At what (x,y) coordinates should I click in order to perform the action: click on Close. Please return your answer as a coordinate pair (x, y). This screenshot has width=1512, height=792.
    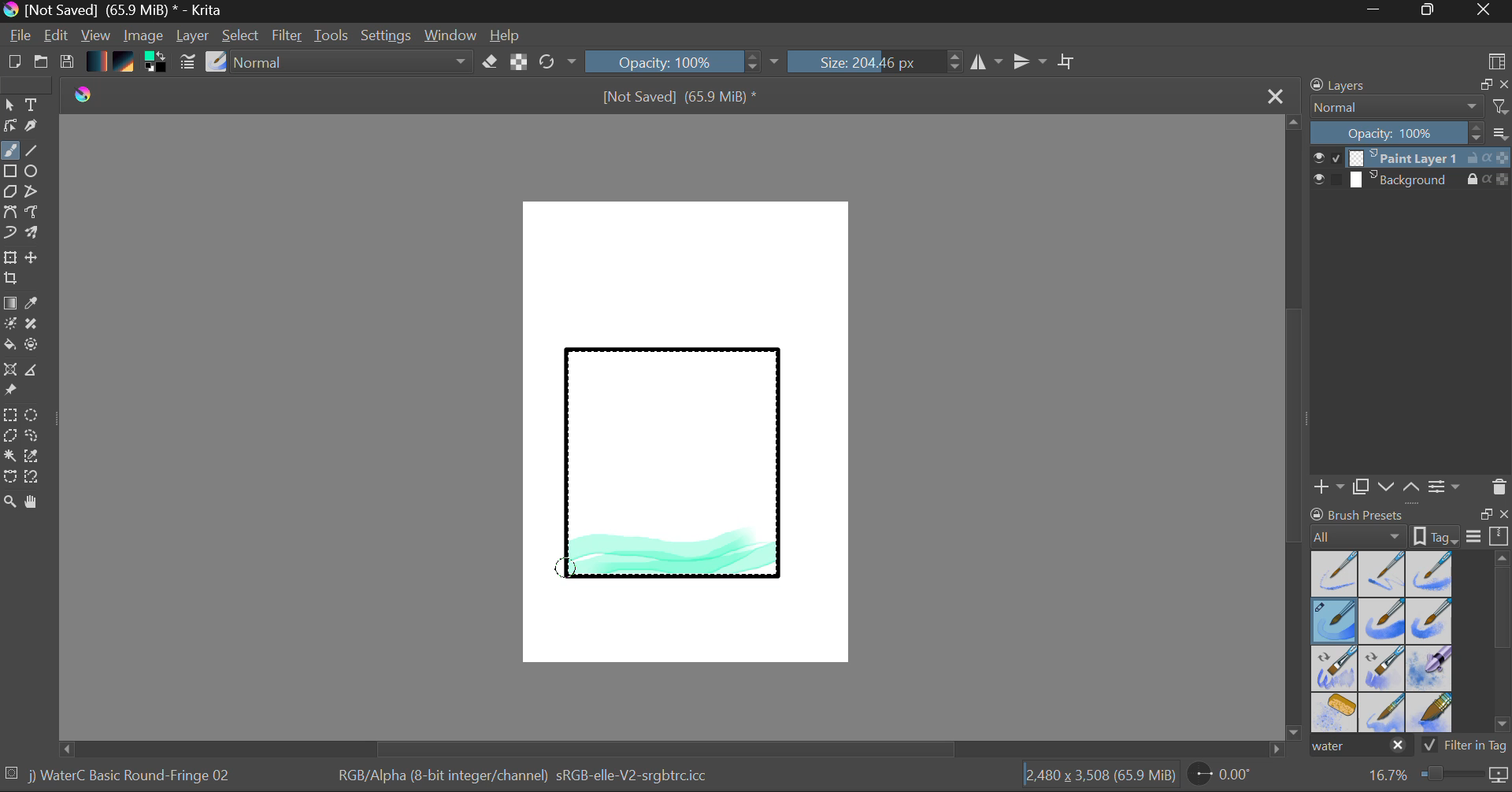
    Looking at the image, I should click on (1485, 11).